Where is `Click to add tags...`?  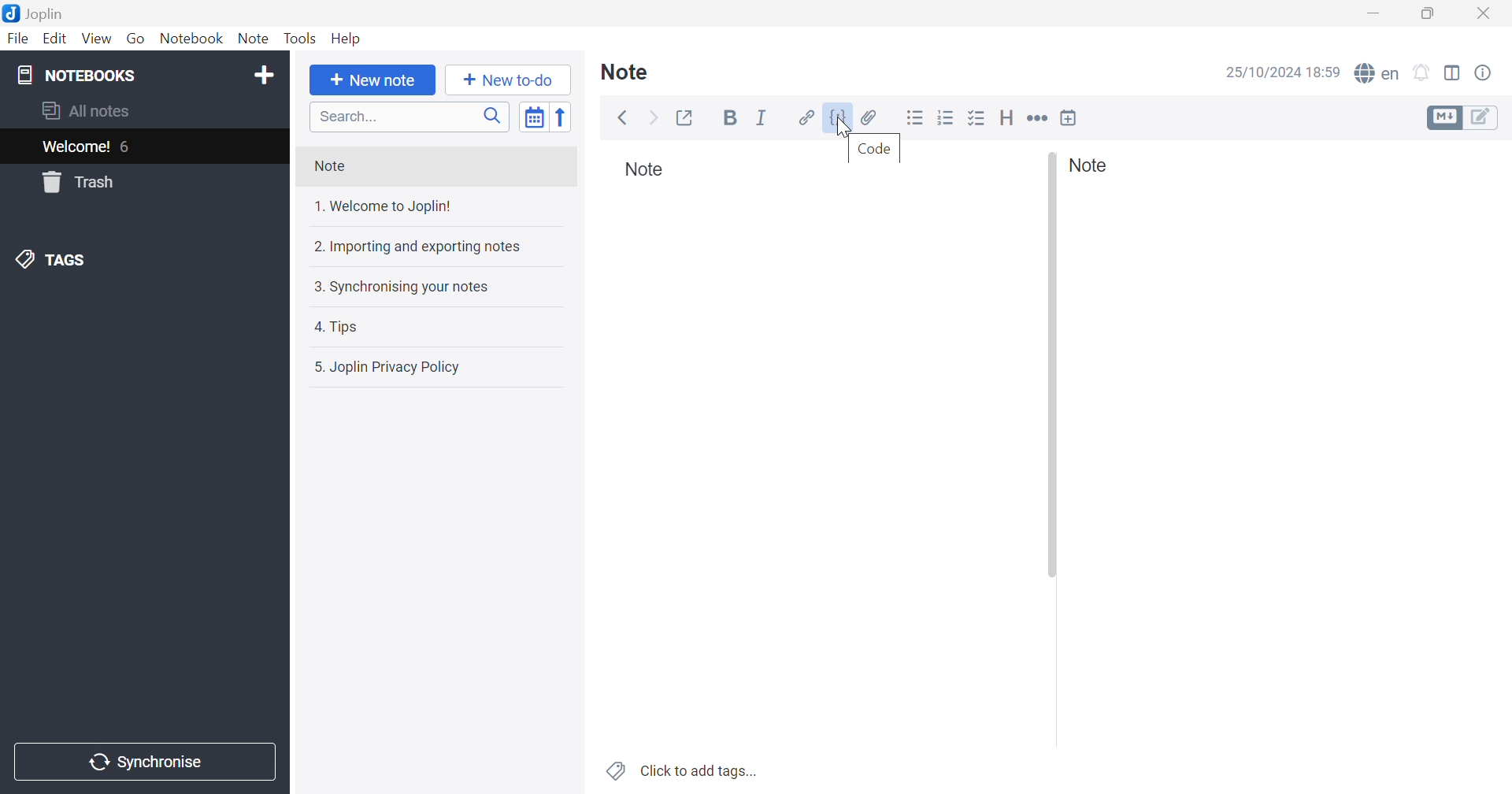 Click to add tags... is located at coordinates (704, 770).